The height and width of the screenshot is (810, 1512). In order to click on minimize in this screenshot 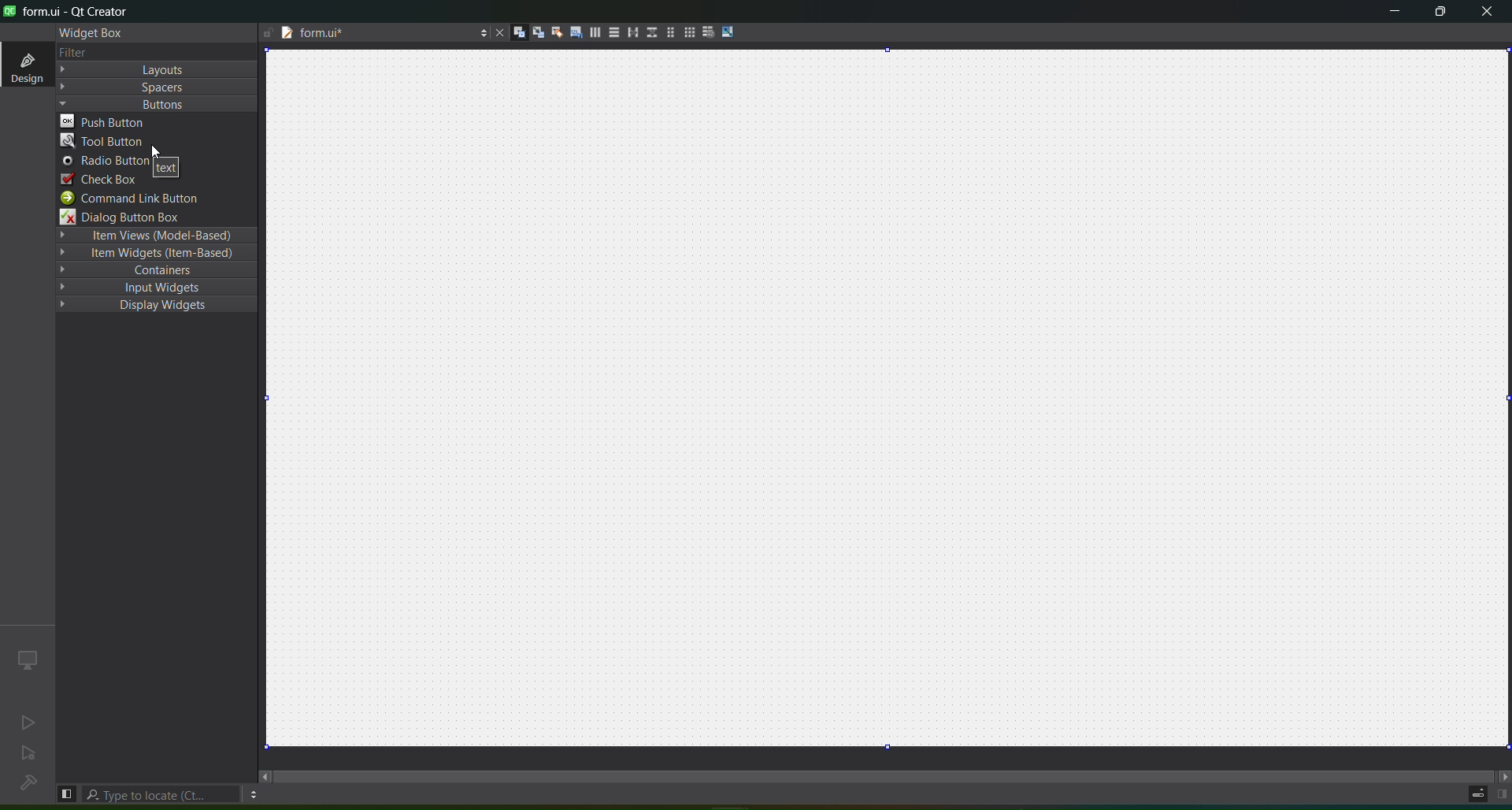, I will do `click(1395, 13)`.